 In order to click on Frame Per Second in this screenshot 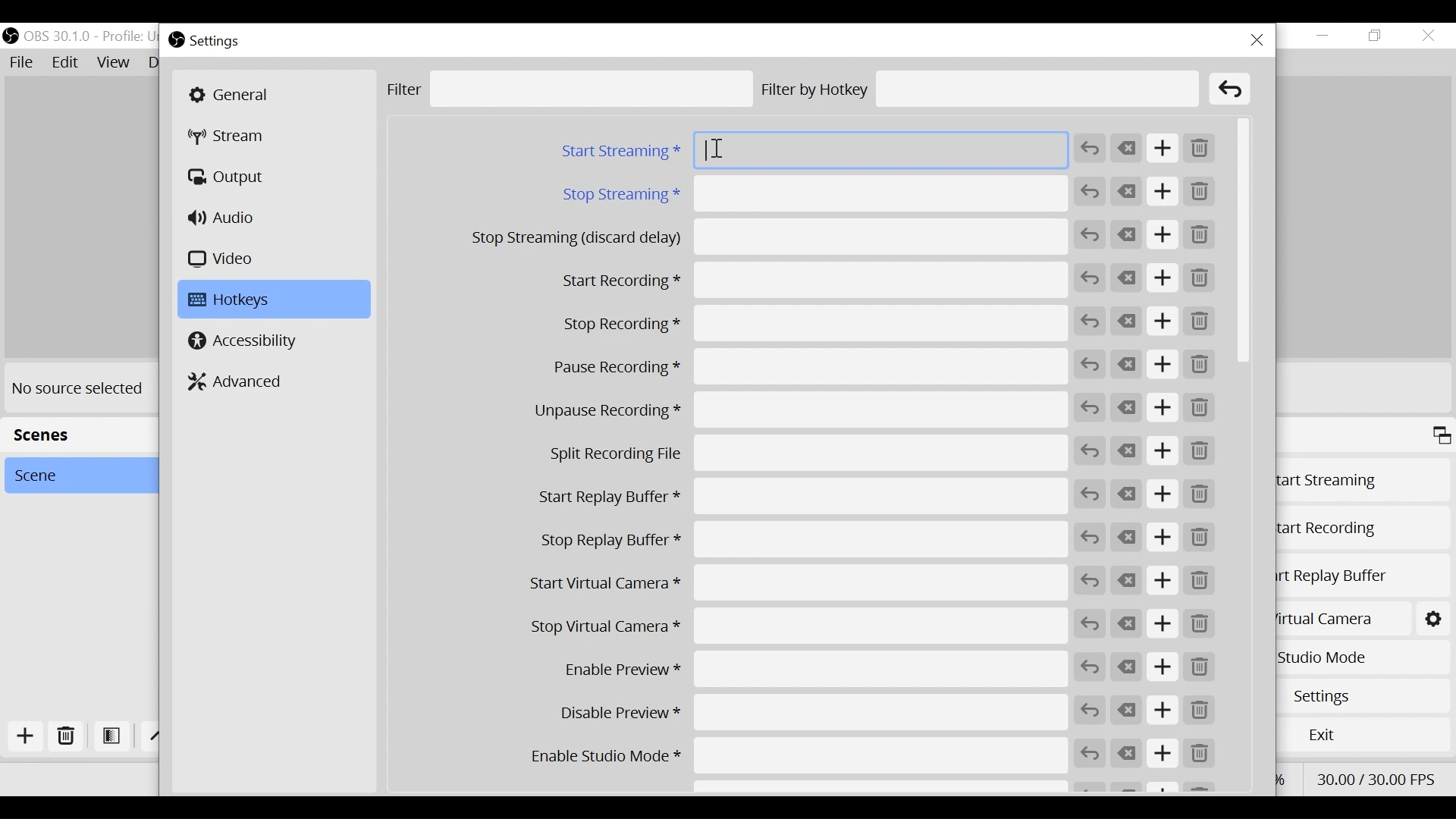, I will do `click(1375, 777)`.